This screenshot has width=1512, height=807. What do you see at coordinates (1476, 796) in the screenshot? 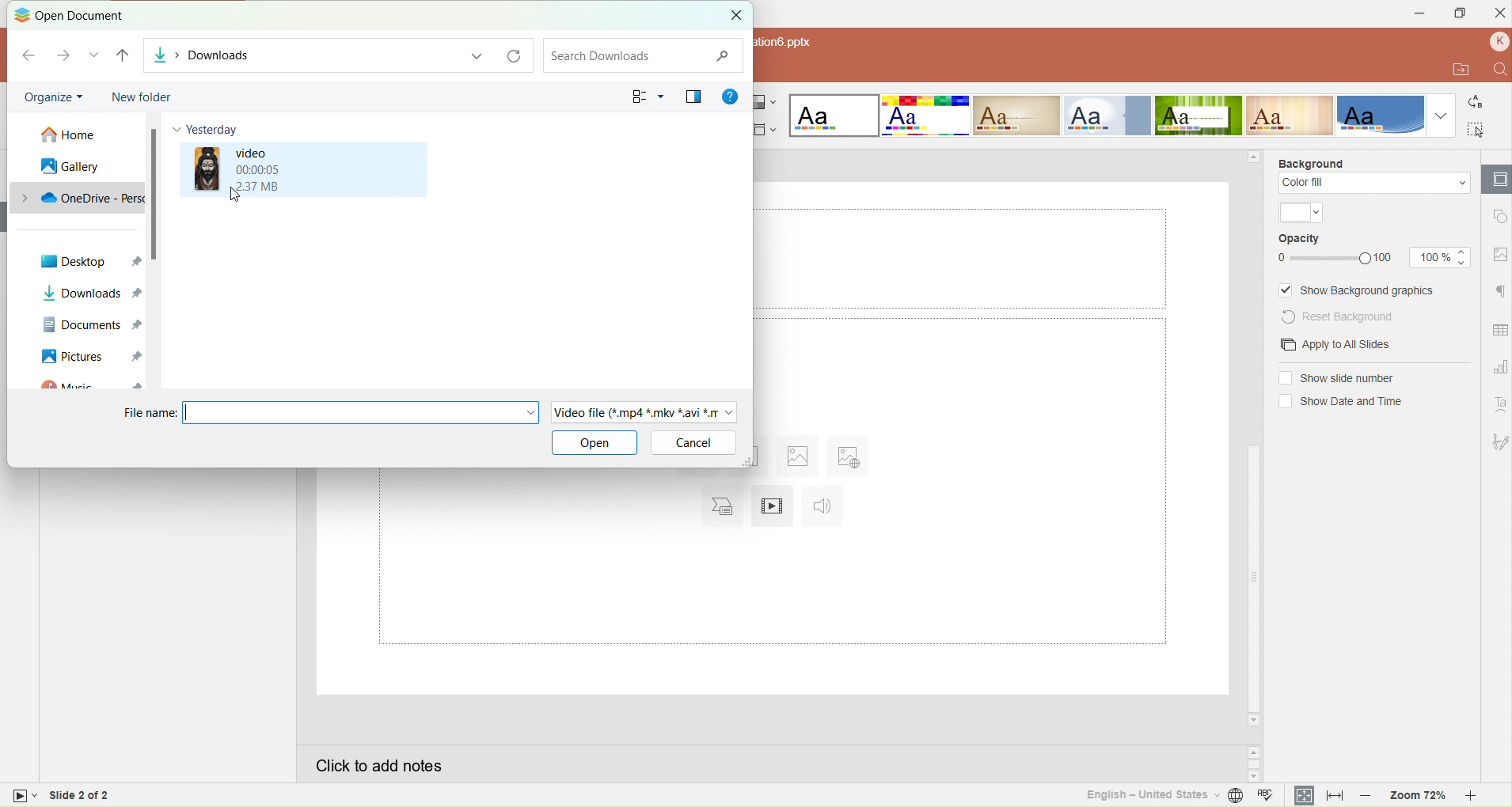
I see `Zoom in` at bounding box center [1476, 796].